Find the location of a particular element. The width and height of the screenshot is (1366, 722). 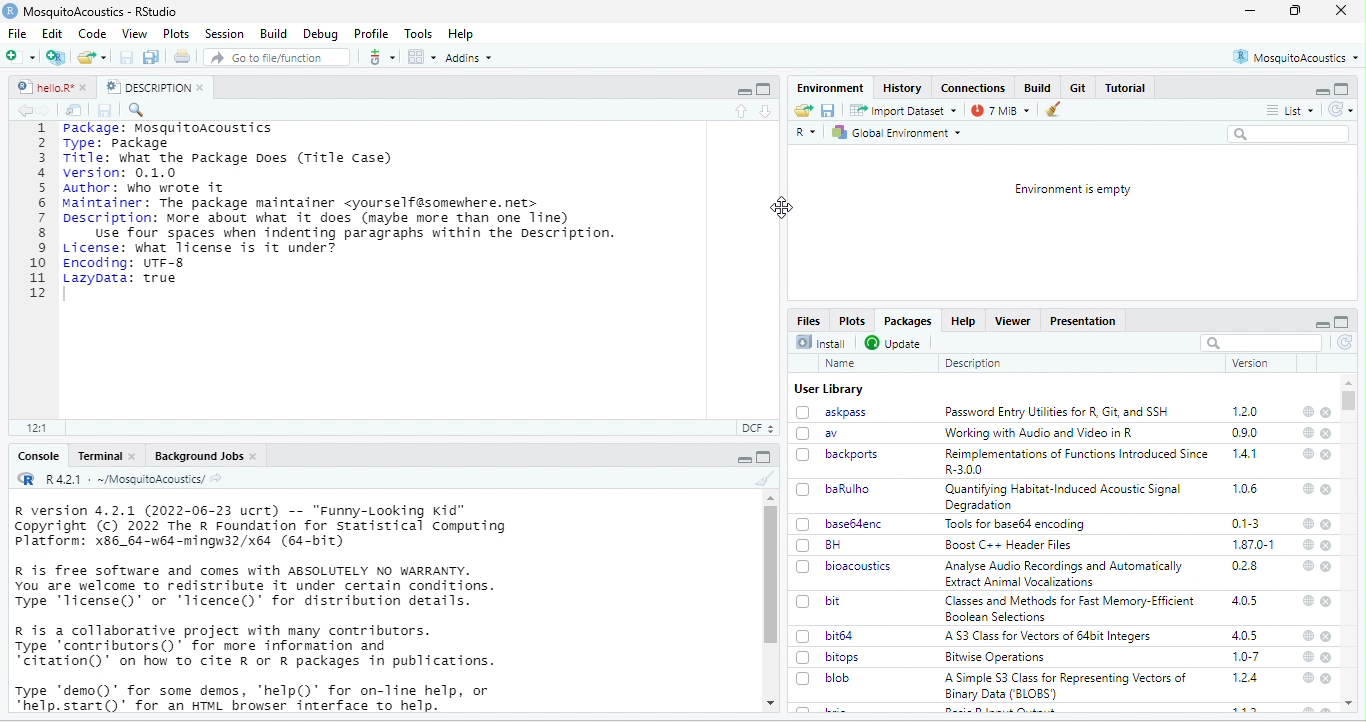

Tools is located at coordinates (419, 34).